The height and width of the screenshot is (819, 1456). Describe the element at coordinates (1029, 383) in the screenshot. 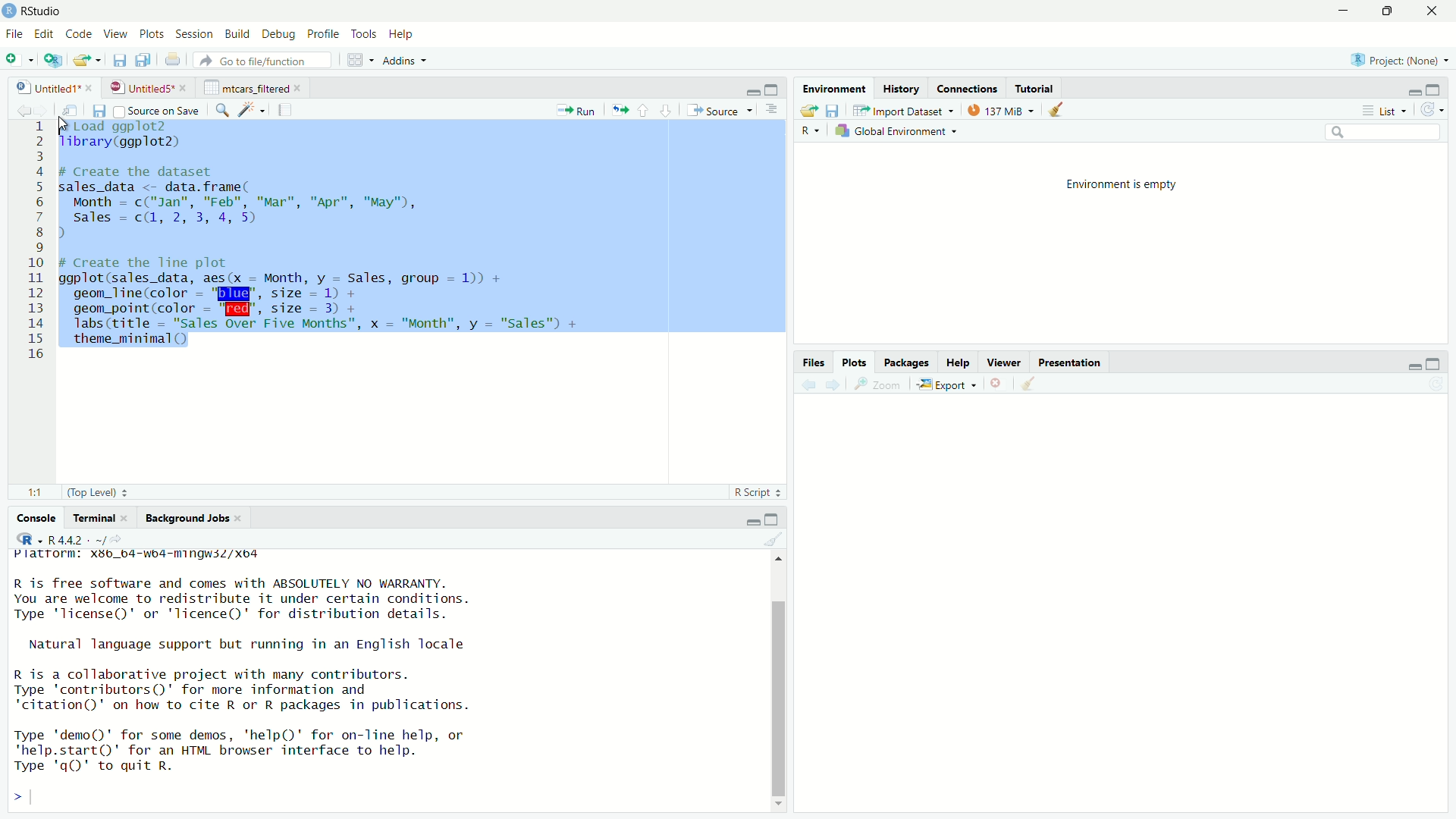

I see `clear all plots` at that location.